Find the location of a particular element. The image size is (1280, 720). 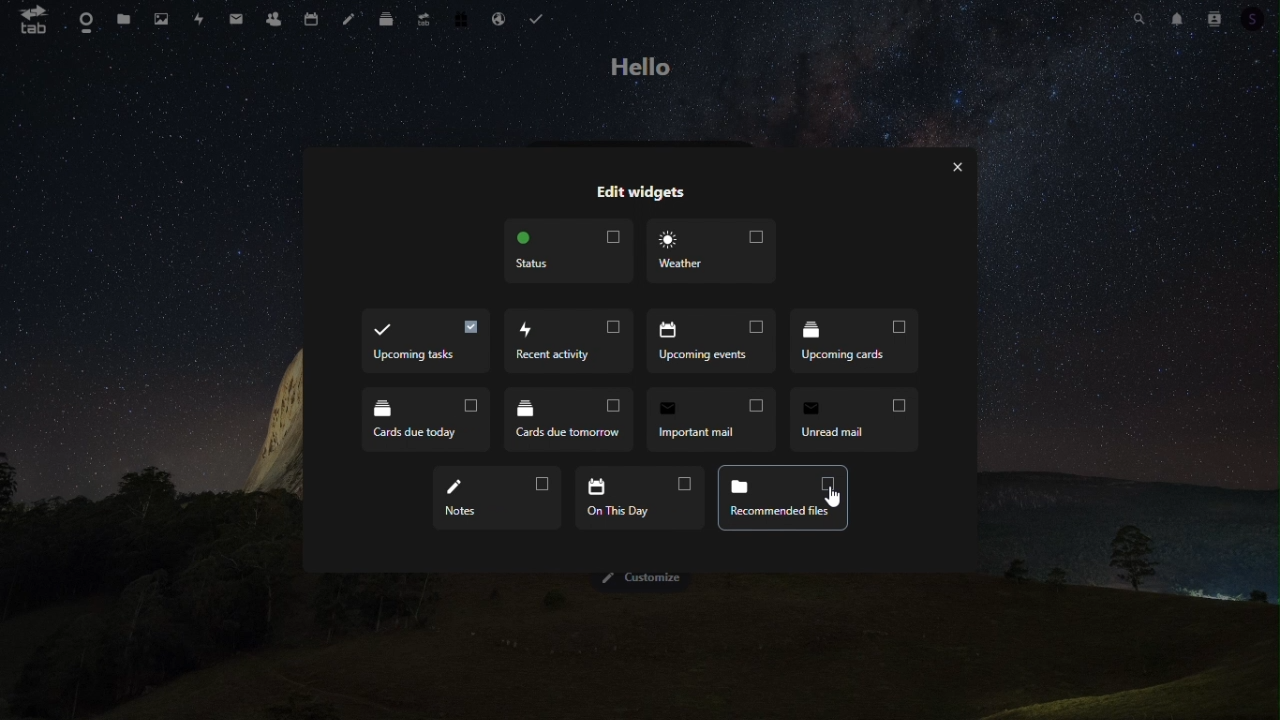

Task is located at coordinates (538, 16).